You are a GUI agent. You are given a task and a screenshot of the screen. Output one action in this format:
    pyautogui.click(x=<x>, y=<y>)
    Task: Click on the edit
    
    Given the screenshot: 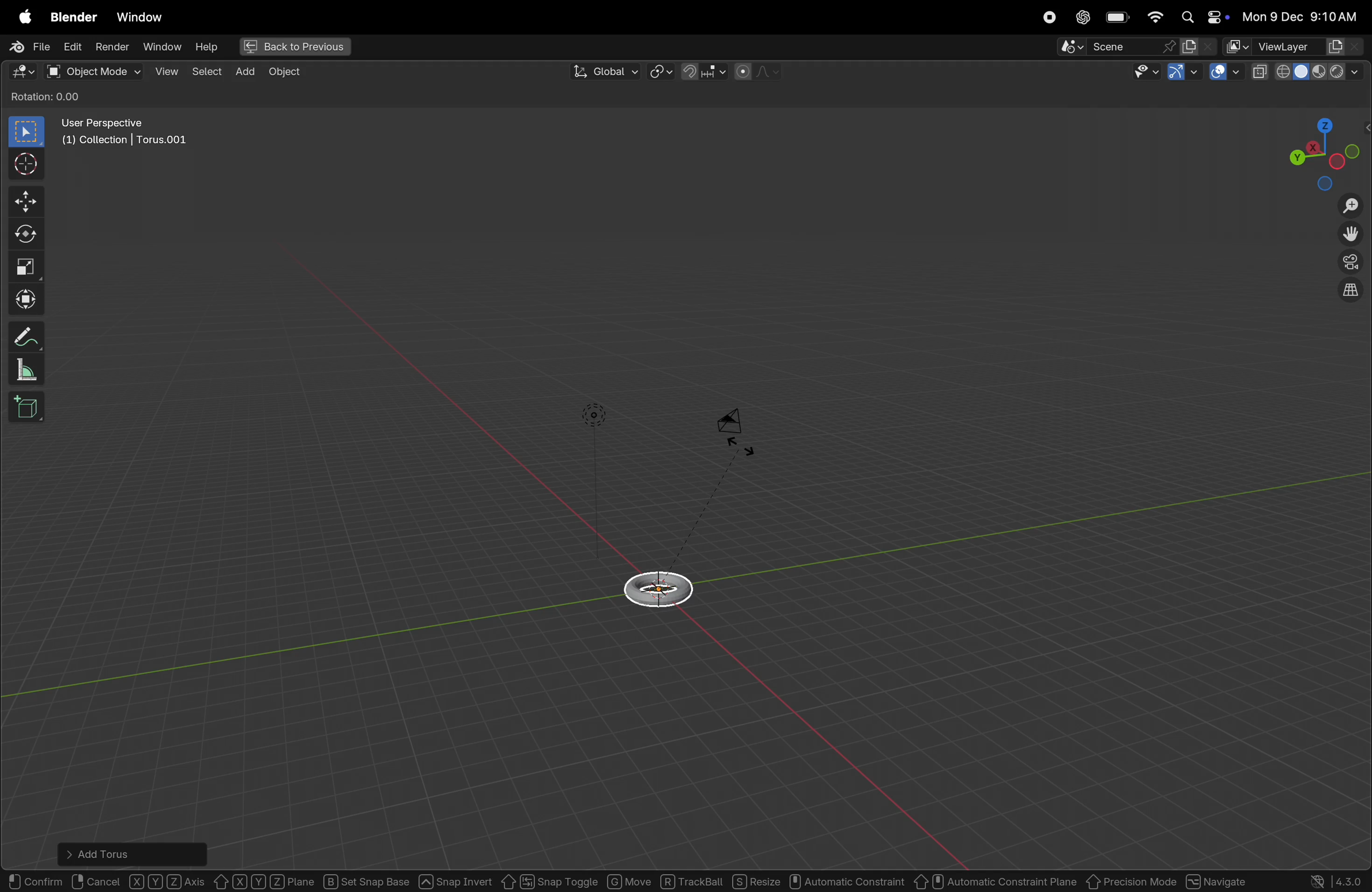 What is the action you would take?
    pyautogui.click(x=70, y=46)
    